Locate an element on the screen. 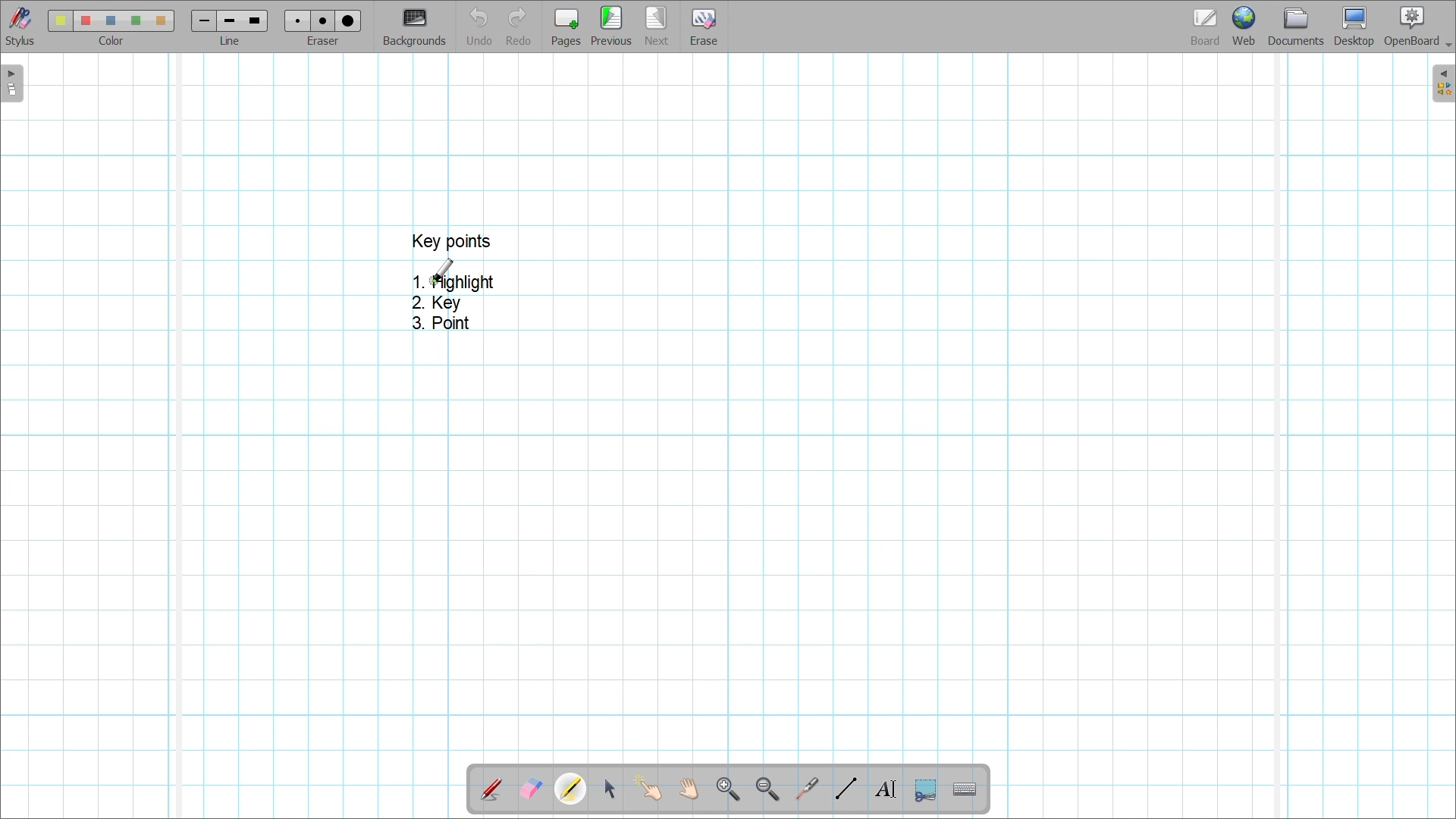 This screenshot has width=1456, height=819. Left sidebar is located at coordinates (12, 83).